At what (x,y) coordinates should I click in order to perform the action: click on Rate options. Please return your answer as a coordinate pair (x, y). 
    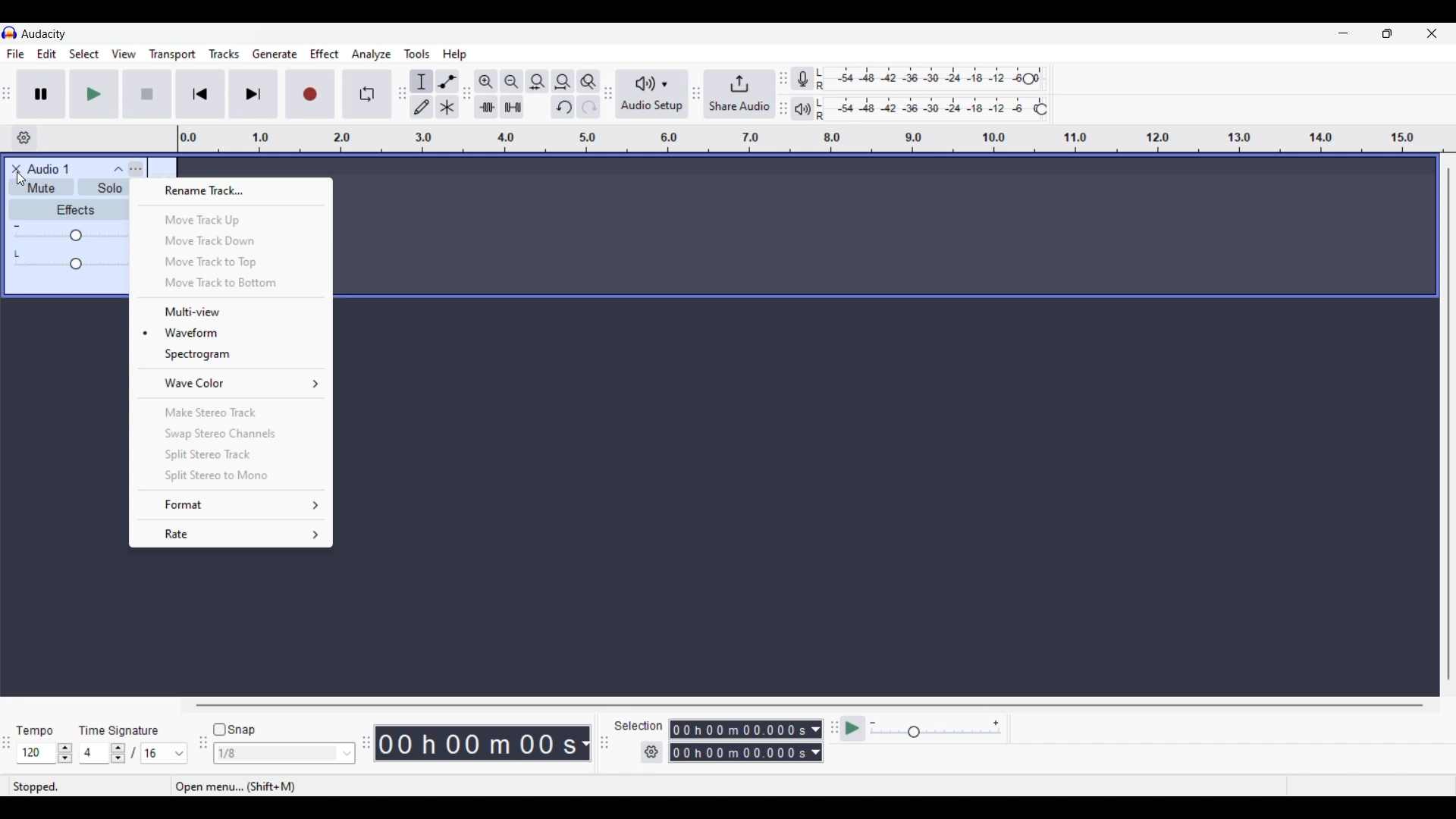
    Looking at the image, I should click on (231, 534).